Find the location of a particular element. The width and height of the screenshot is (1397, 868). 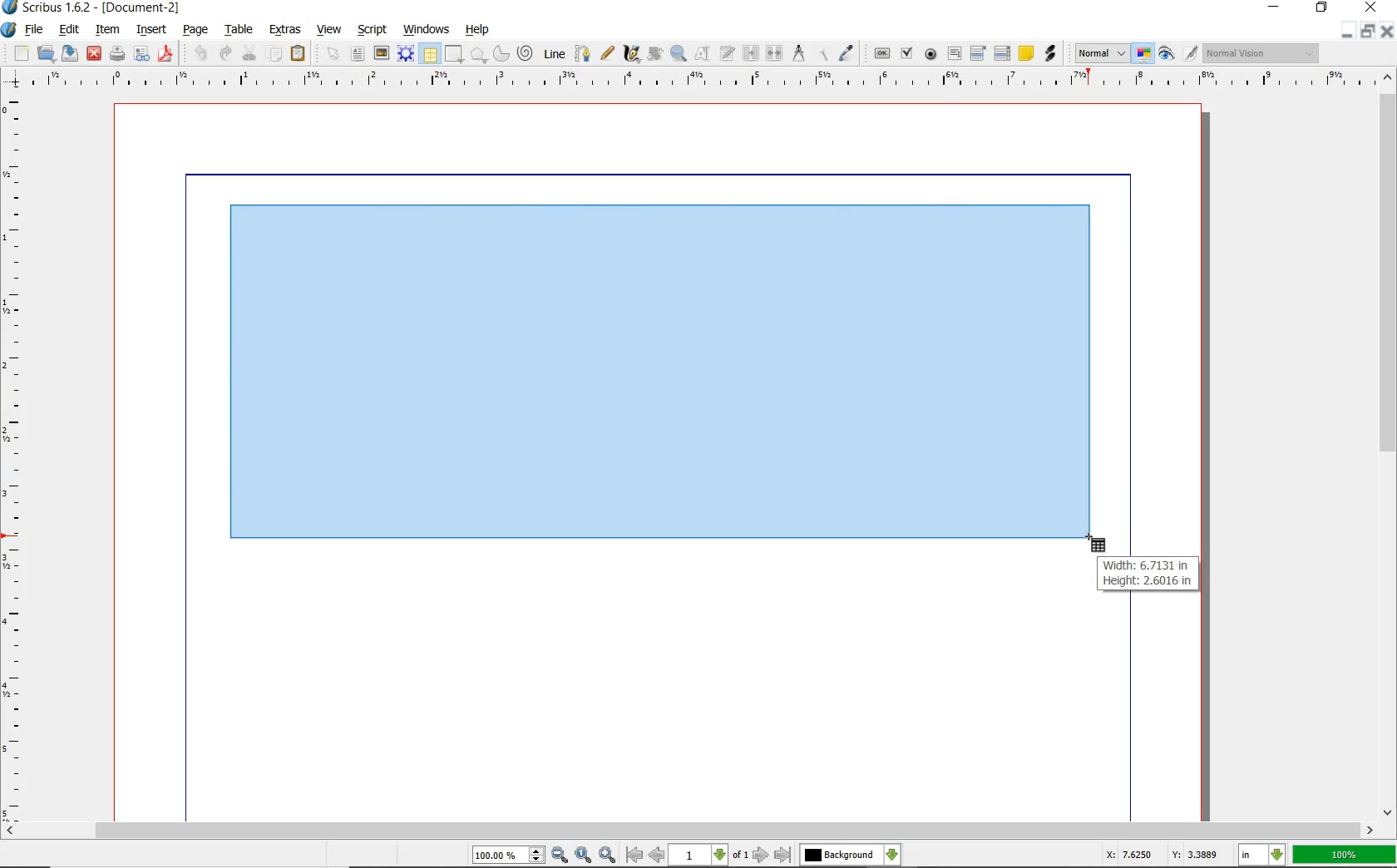

scrollbar is located at coordinates (1385, 455).